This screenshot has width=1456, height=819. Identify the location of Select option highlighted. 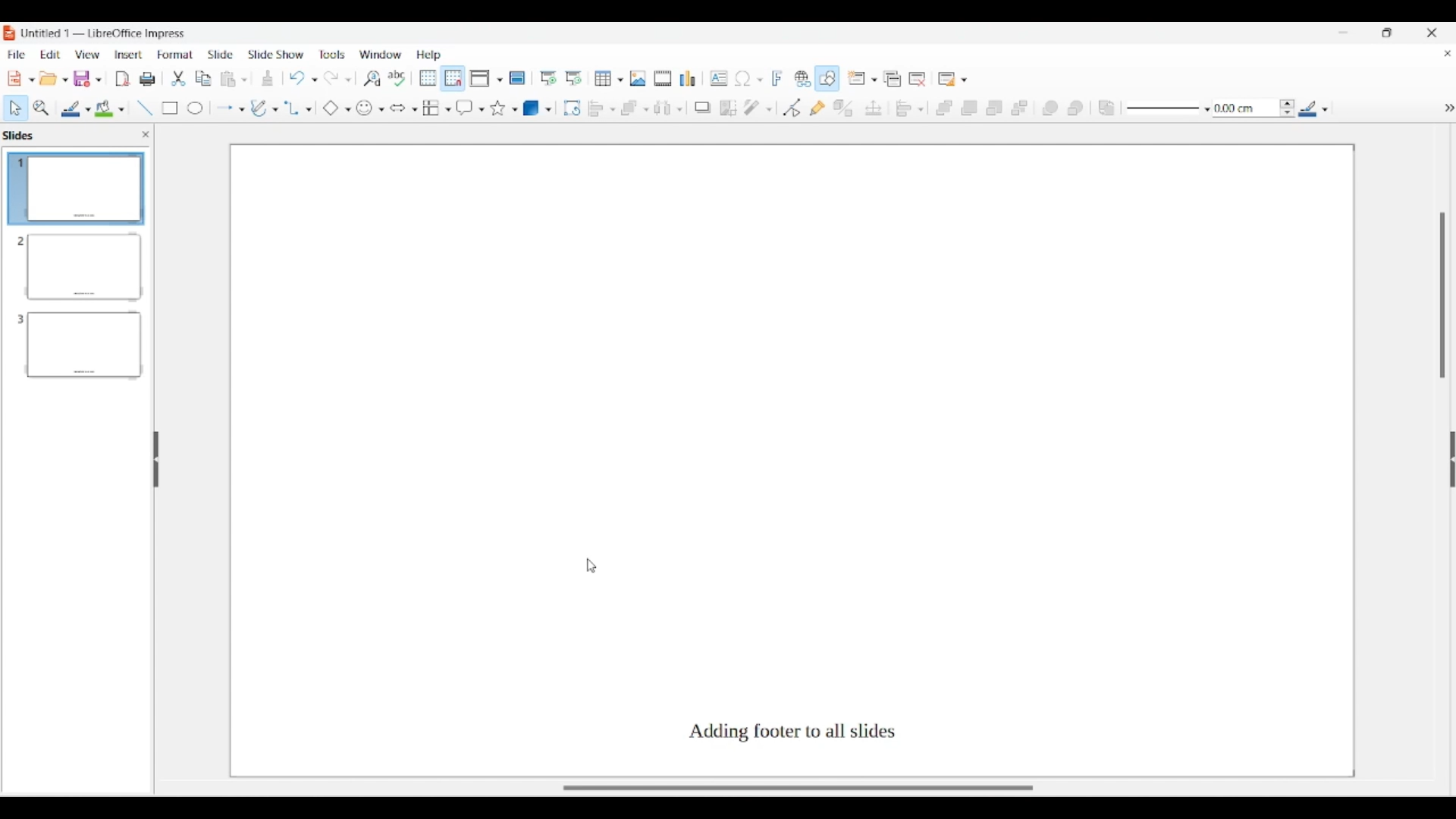
(15, 108).